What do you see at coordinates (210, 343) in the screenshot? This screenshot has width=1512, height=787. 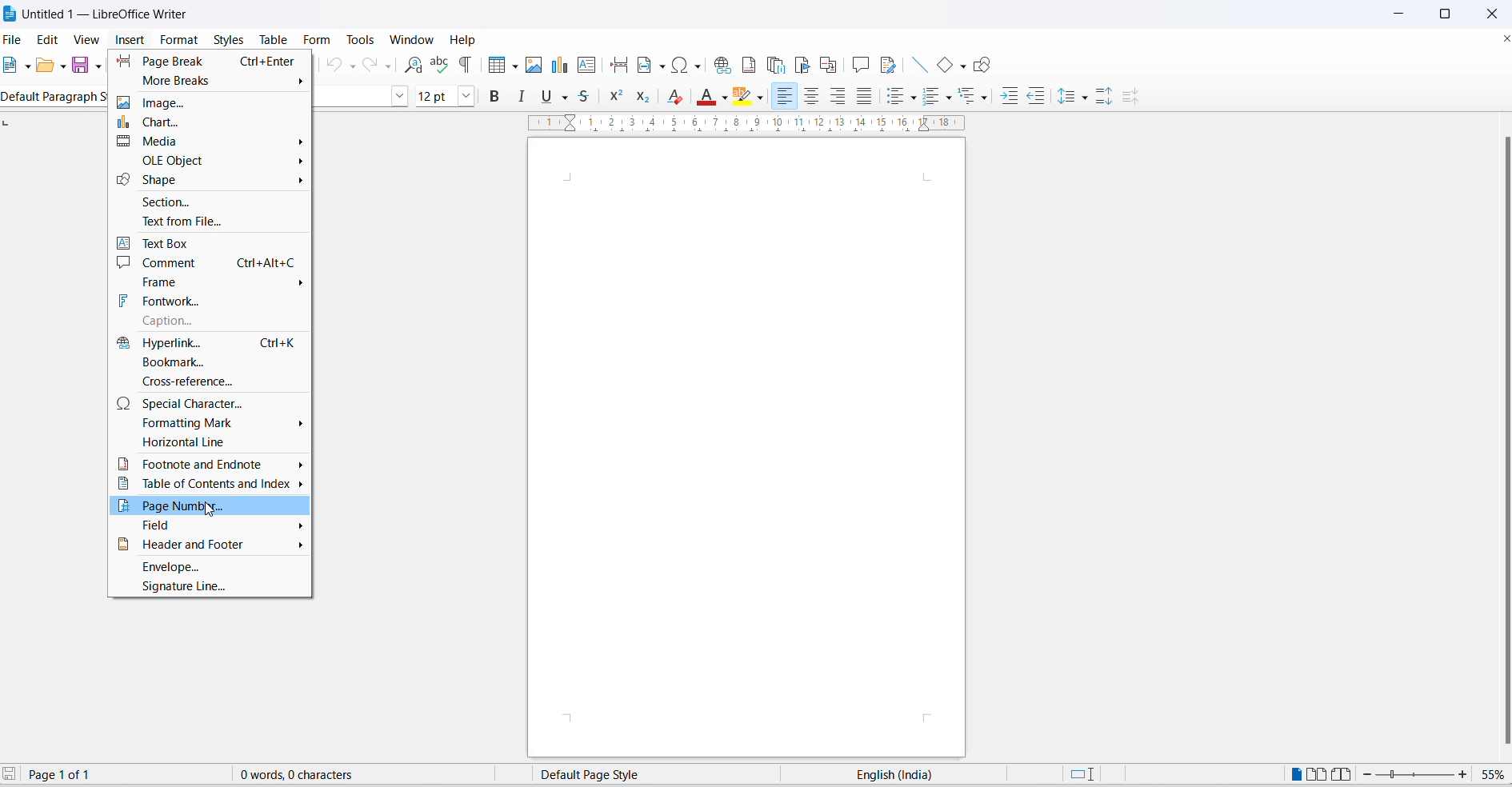 I see `hyperlink` at bounding box center [210, 343].